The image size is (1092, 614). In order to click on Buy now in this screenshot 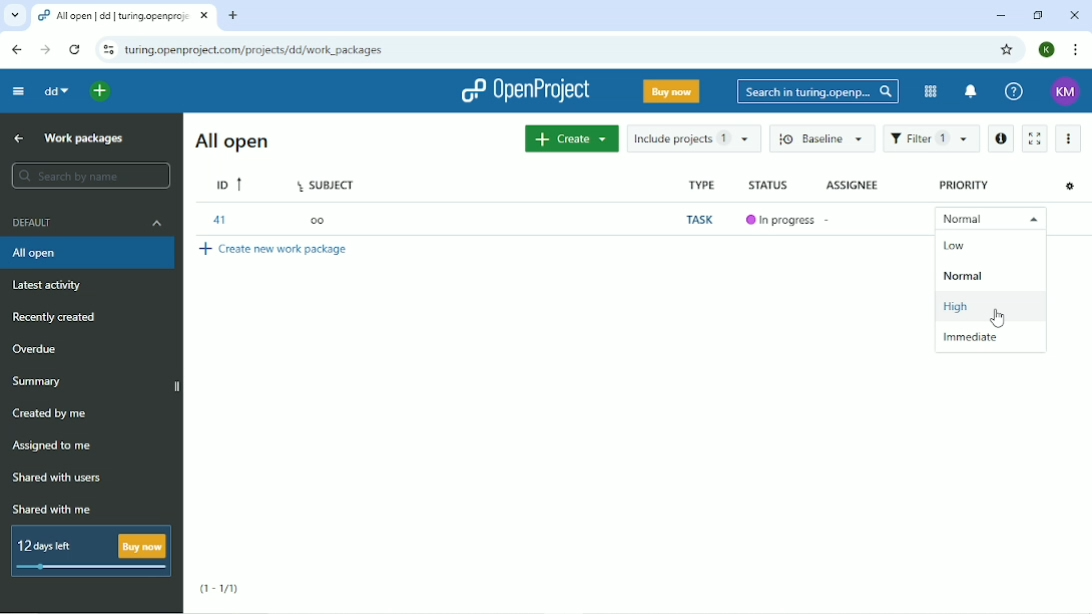, I will do `click(671, 90)`.